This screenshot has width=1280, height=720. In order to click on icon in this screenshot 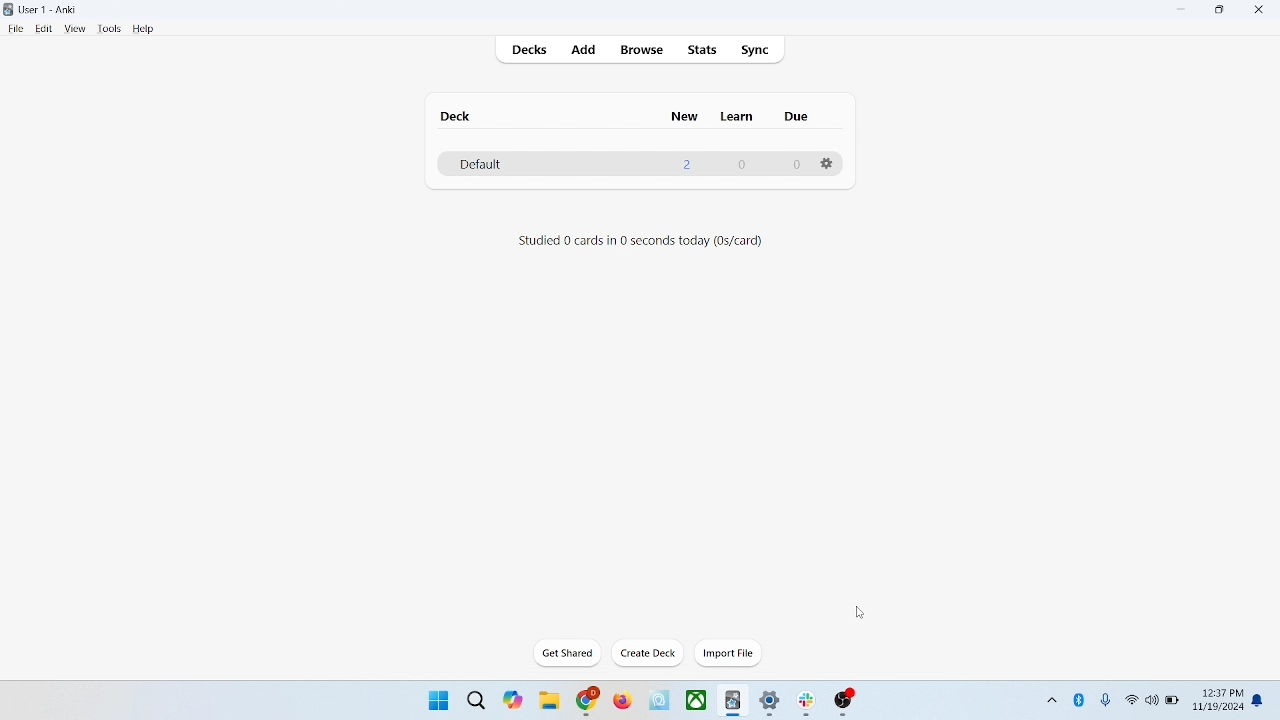, I will do `click(845, 703)`.